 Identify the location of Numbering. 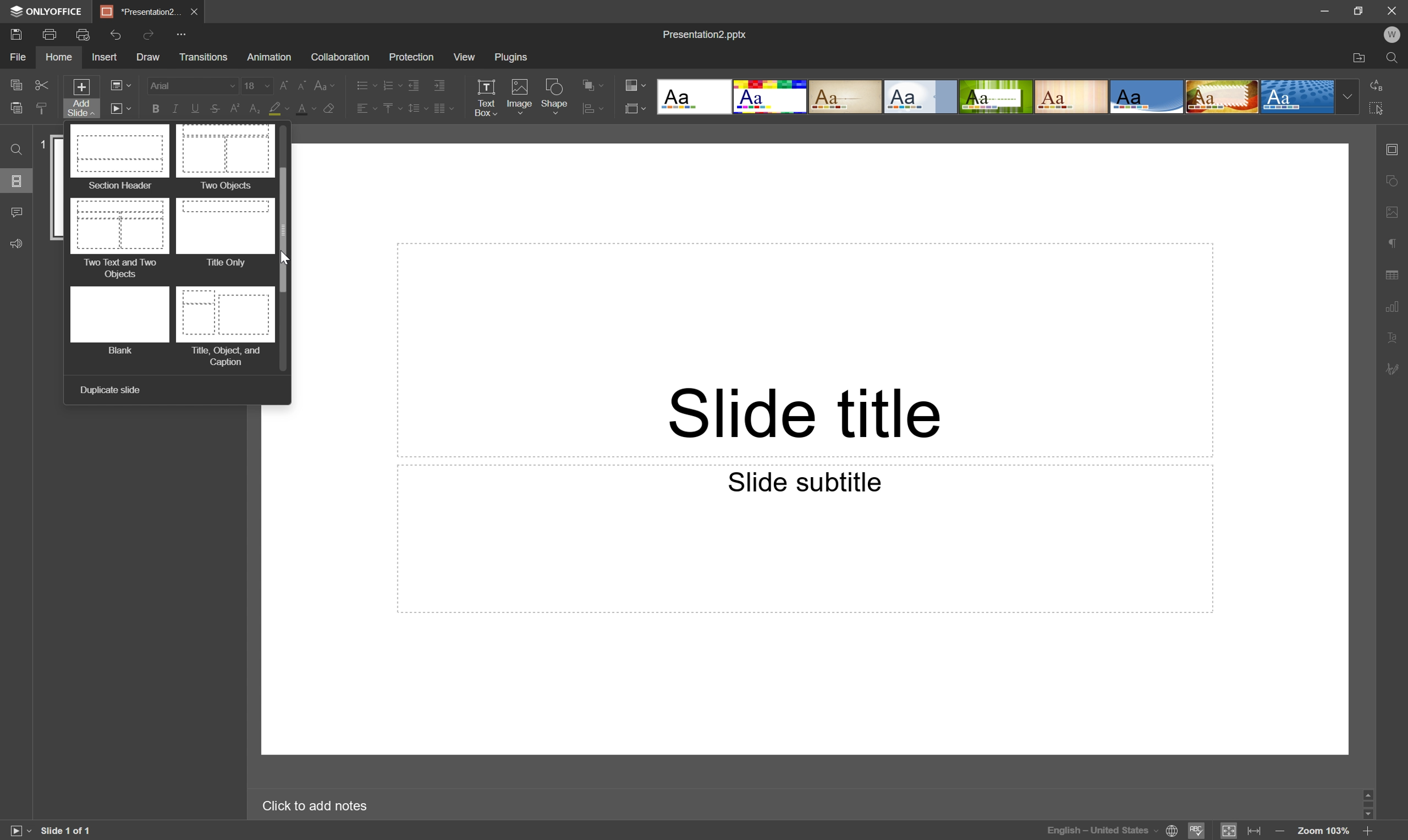
(391, 83).